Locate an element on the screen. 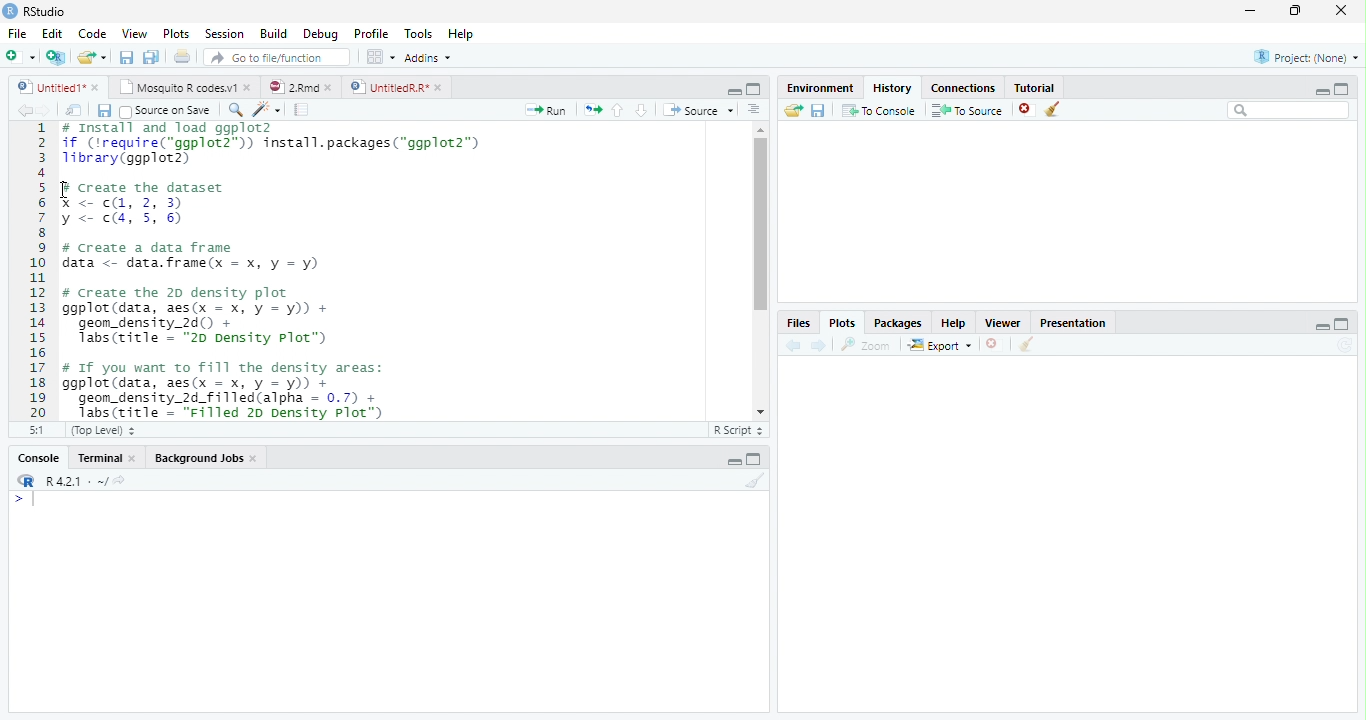  View is located at coordinates (134, 34).